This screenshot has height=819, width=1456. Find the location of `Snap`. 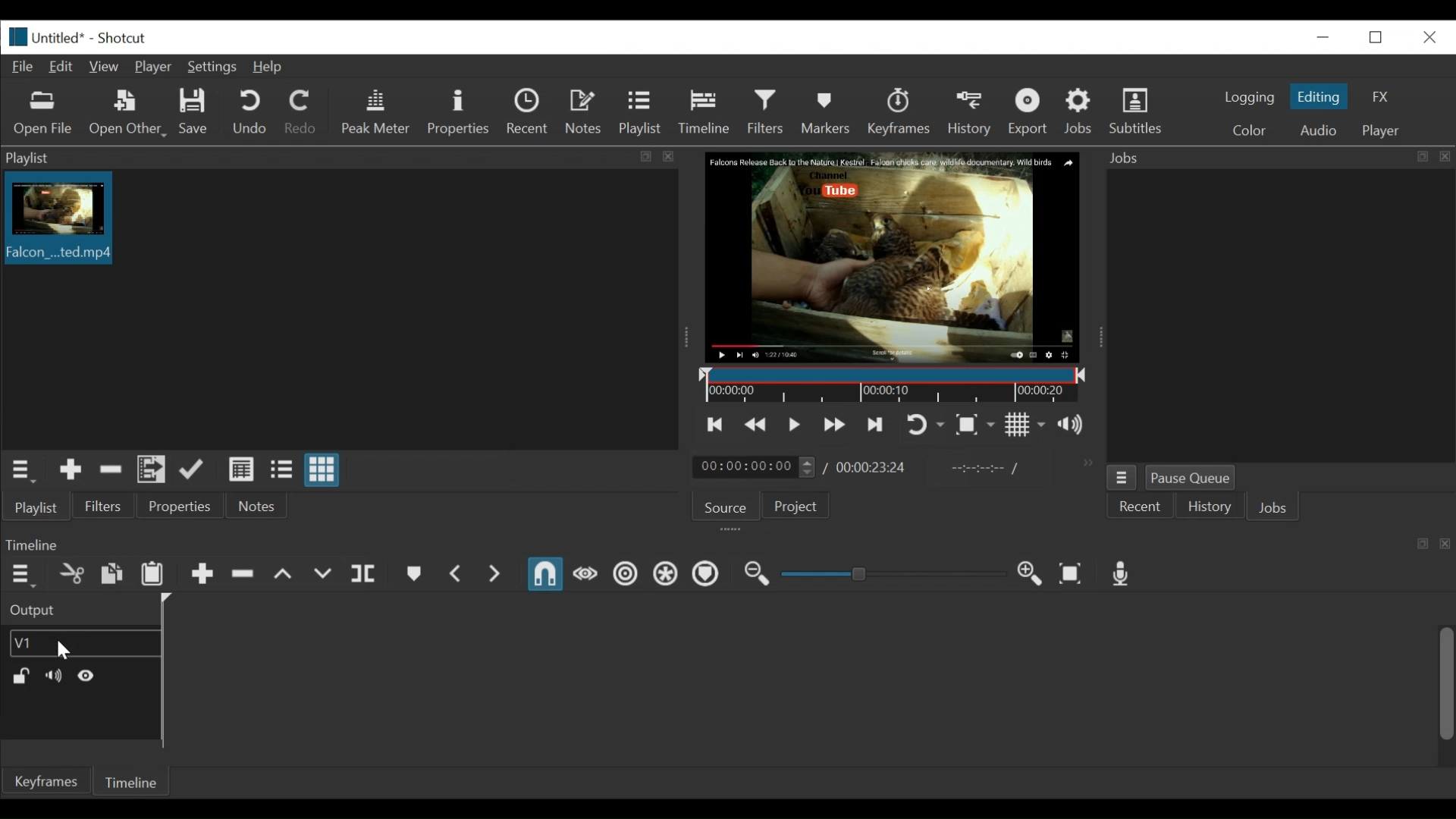

Snap is located at coordinates (547, 576).